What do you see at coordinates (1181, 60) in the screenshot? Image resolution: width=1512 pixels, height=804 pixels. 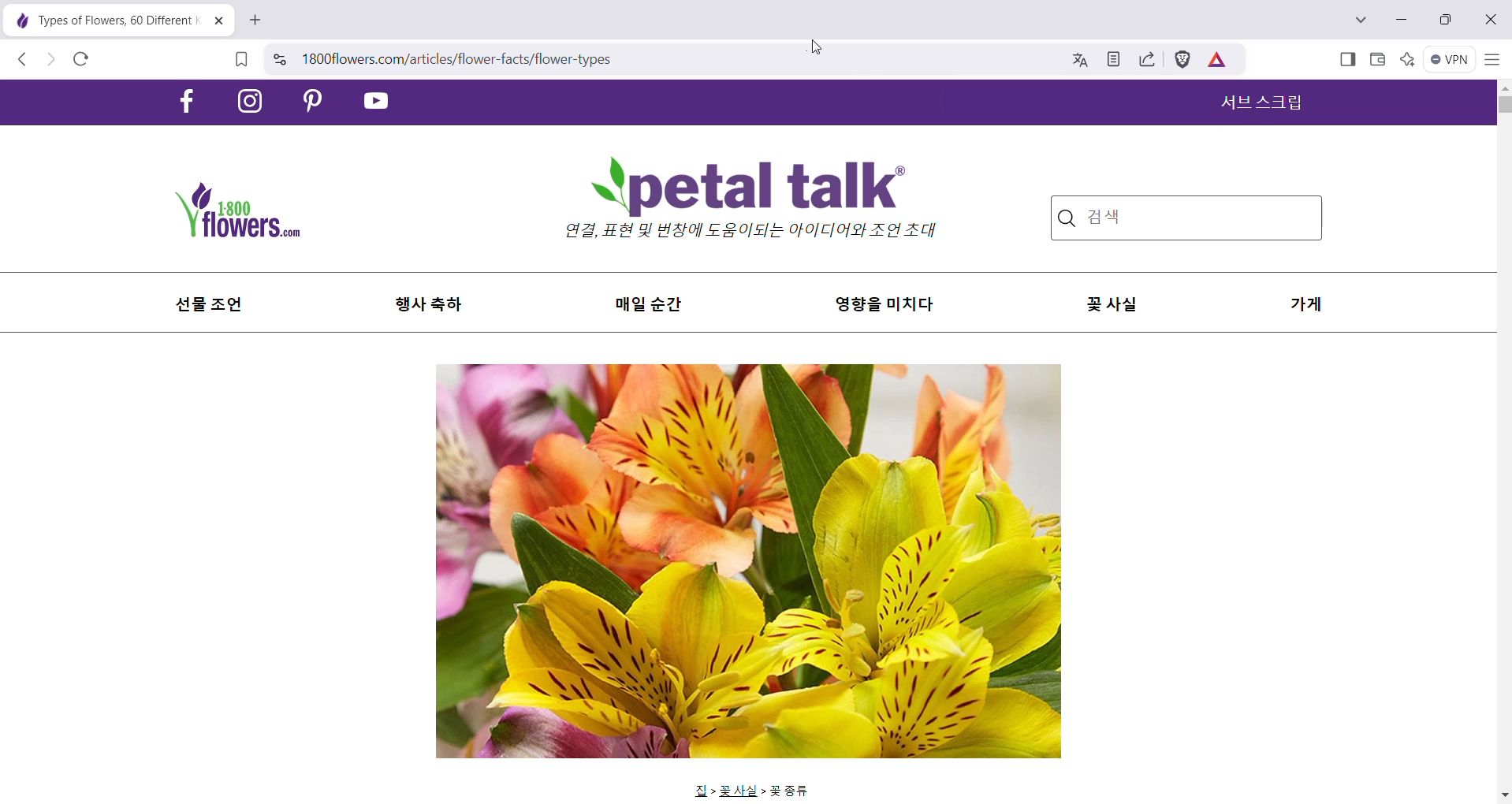 I see `Brave Shields` at bounding box center [1181, 60].